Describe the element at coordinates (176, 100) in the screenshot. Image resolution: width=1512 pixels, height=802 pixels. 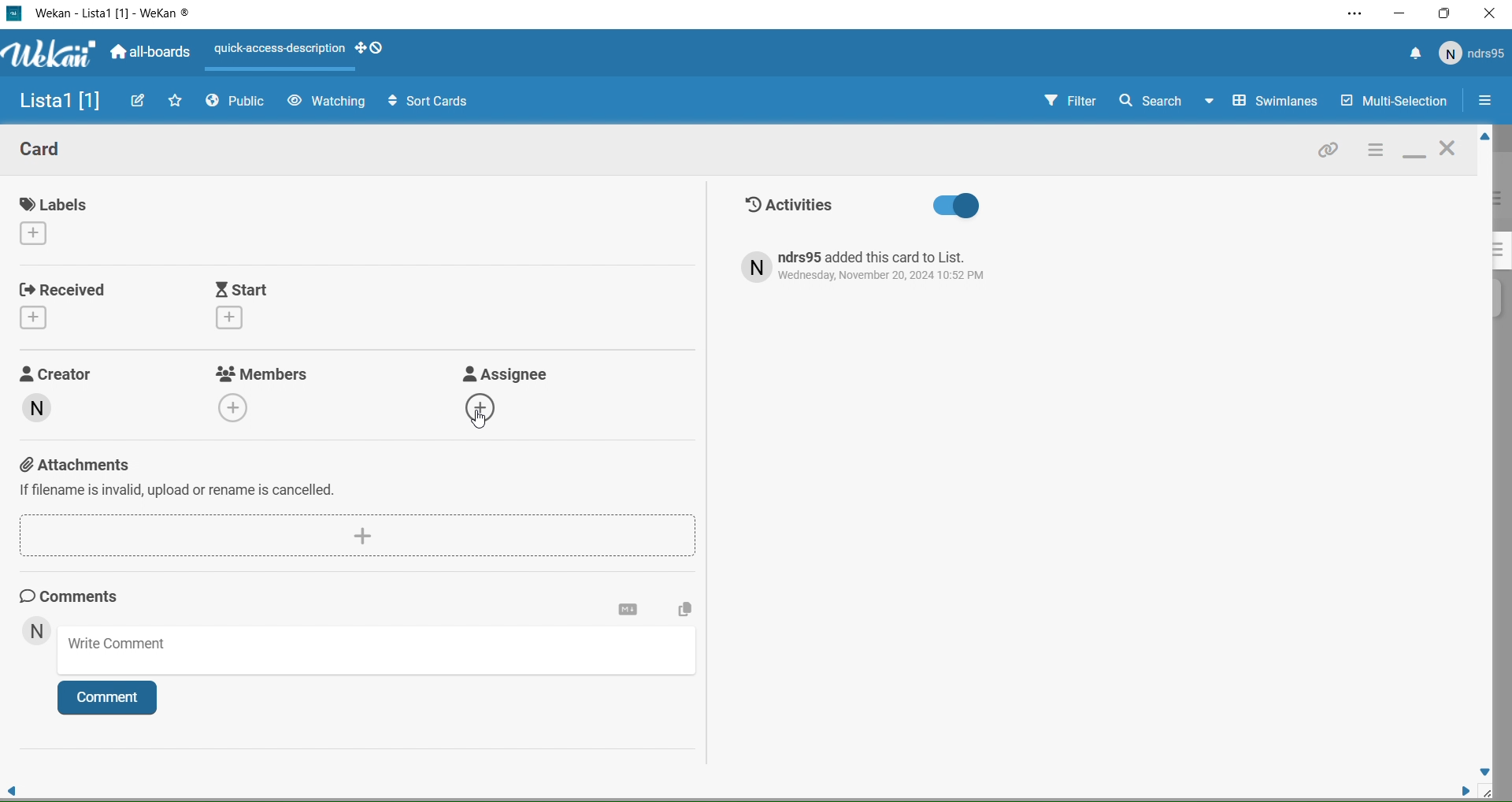
I see `Favourites` at that location.